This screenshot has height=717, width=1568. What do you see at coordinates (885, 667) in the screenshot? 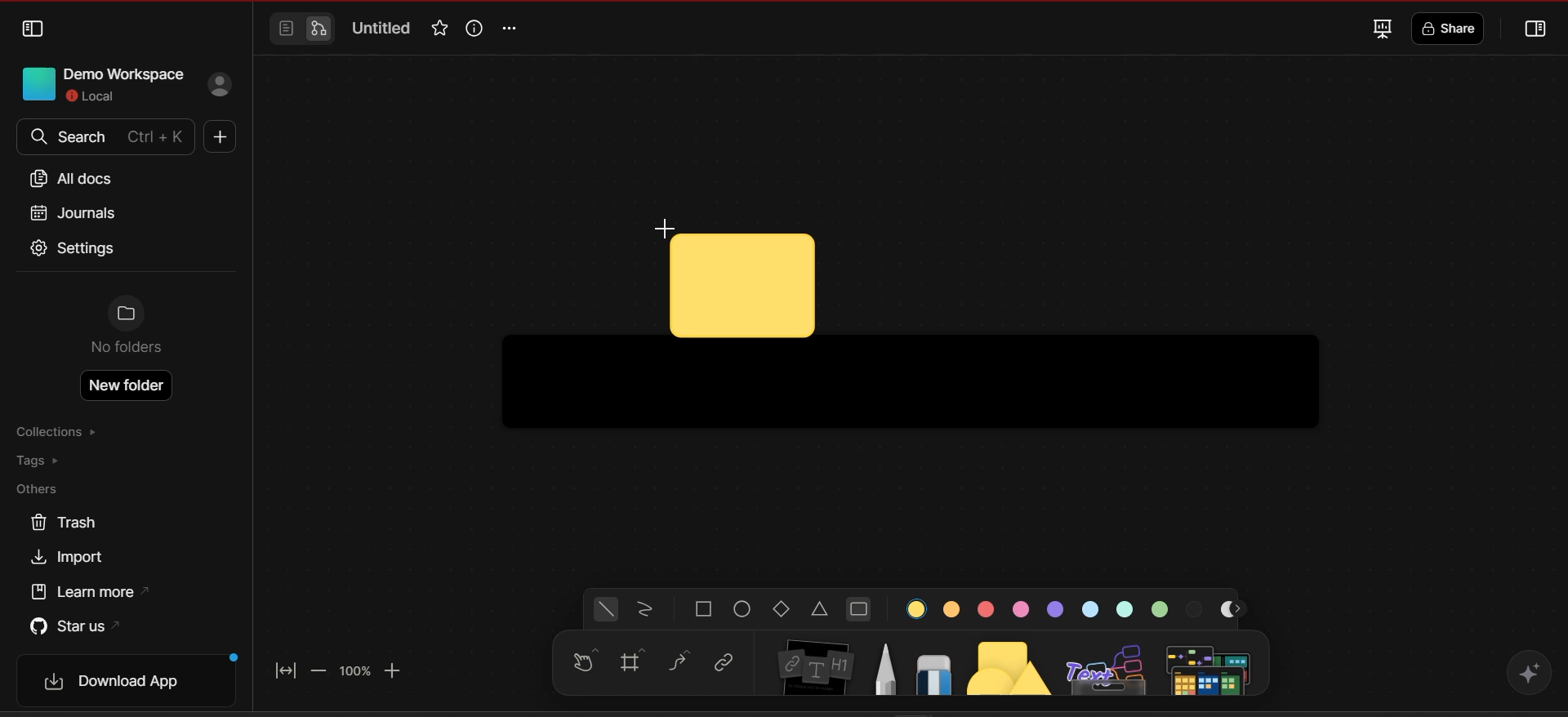
I see `pen` at bounding box center [885, 667].